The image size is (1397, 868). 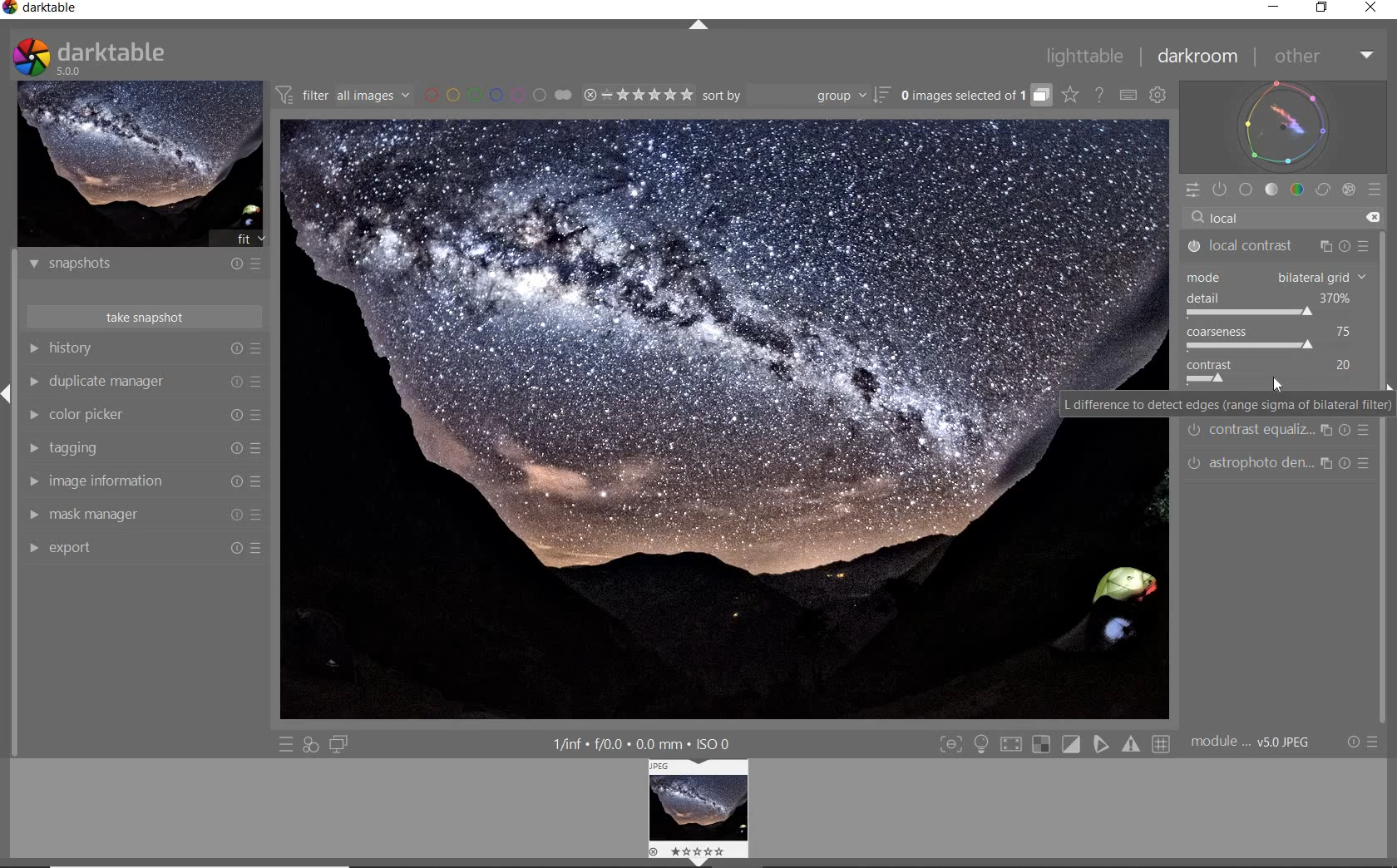 What do you see at coordinates (29, 448) in the screenshot?
I see `TAGGING` at bounding box center [29, 448].